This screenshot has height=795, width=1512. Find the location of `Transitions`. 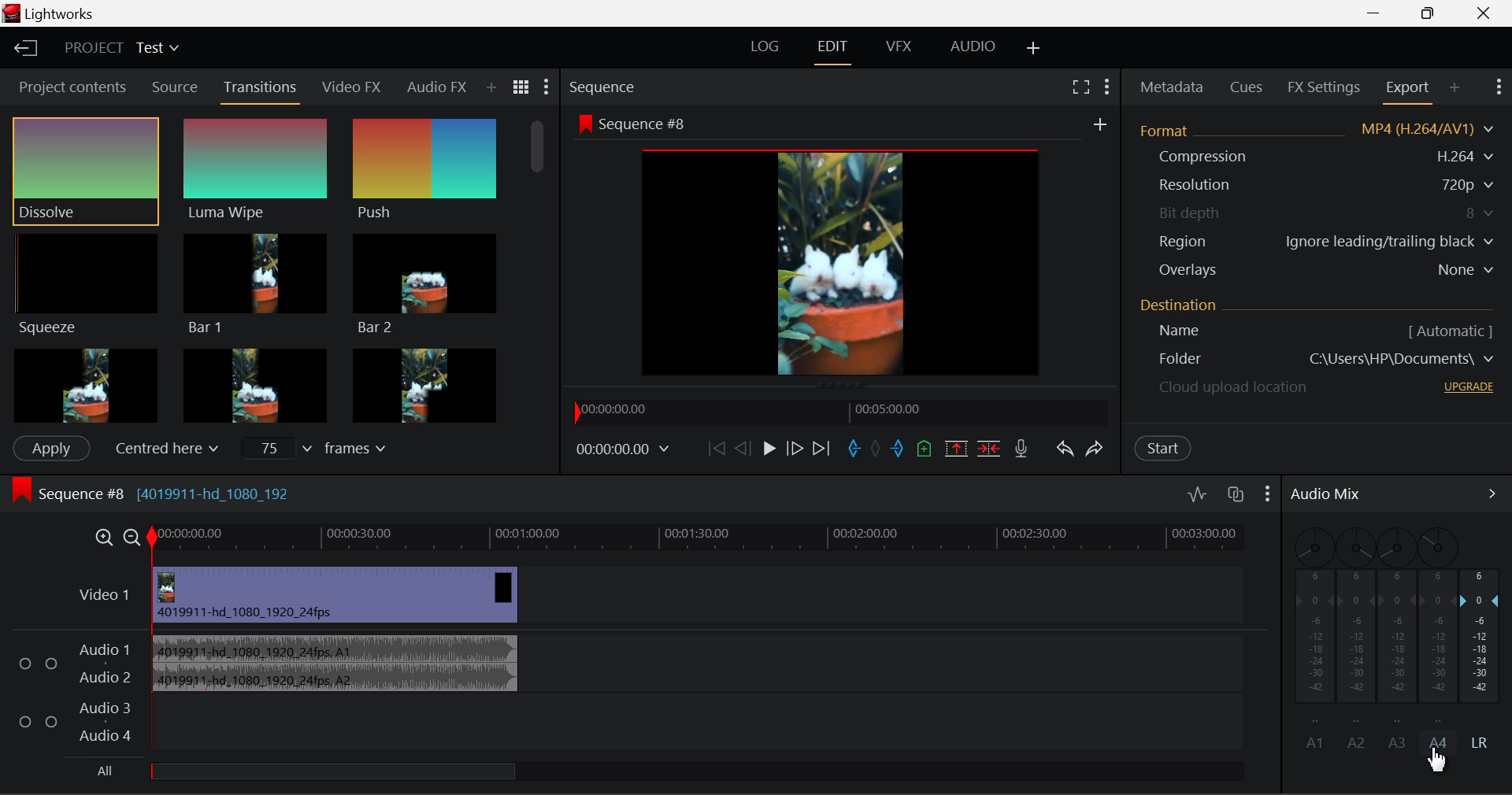

Transitions is located at coordinates (258, 91).